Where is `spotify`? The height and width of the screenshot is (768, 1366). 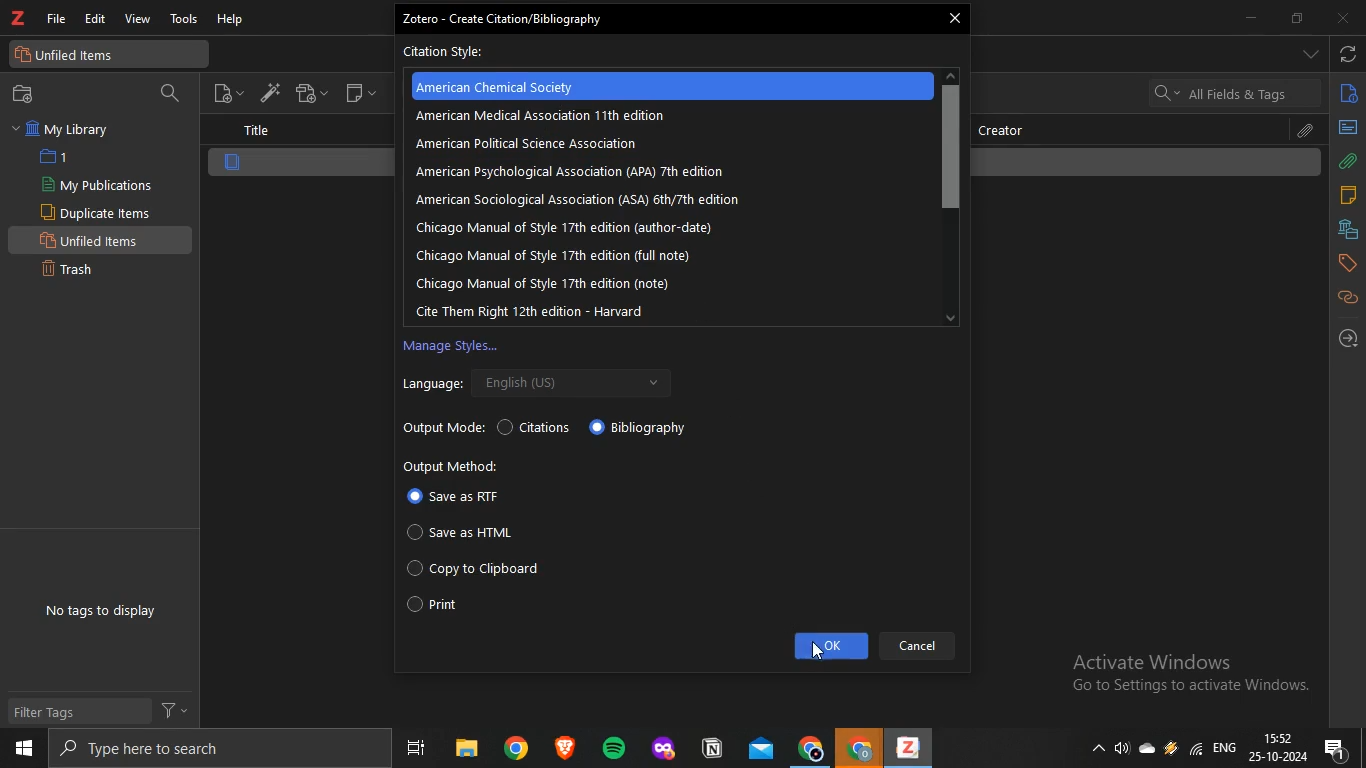 spotify is located at coordinates (609, 746).